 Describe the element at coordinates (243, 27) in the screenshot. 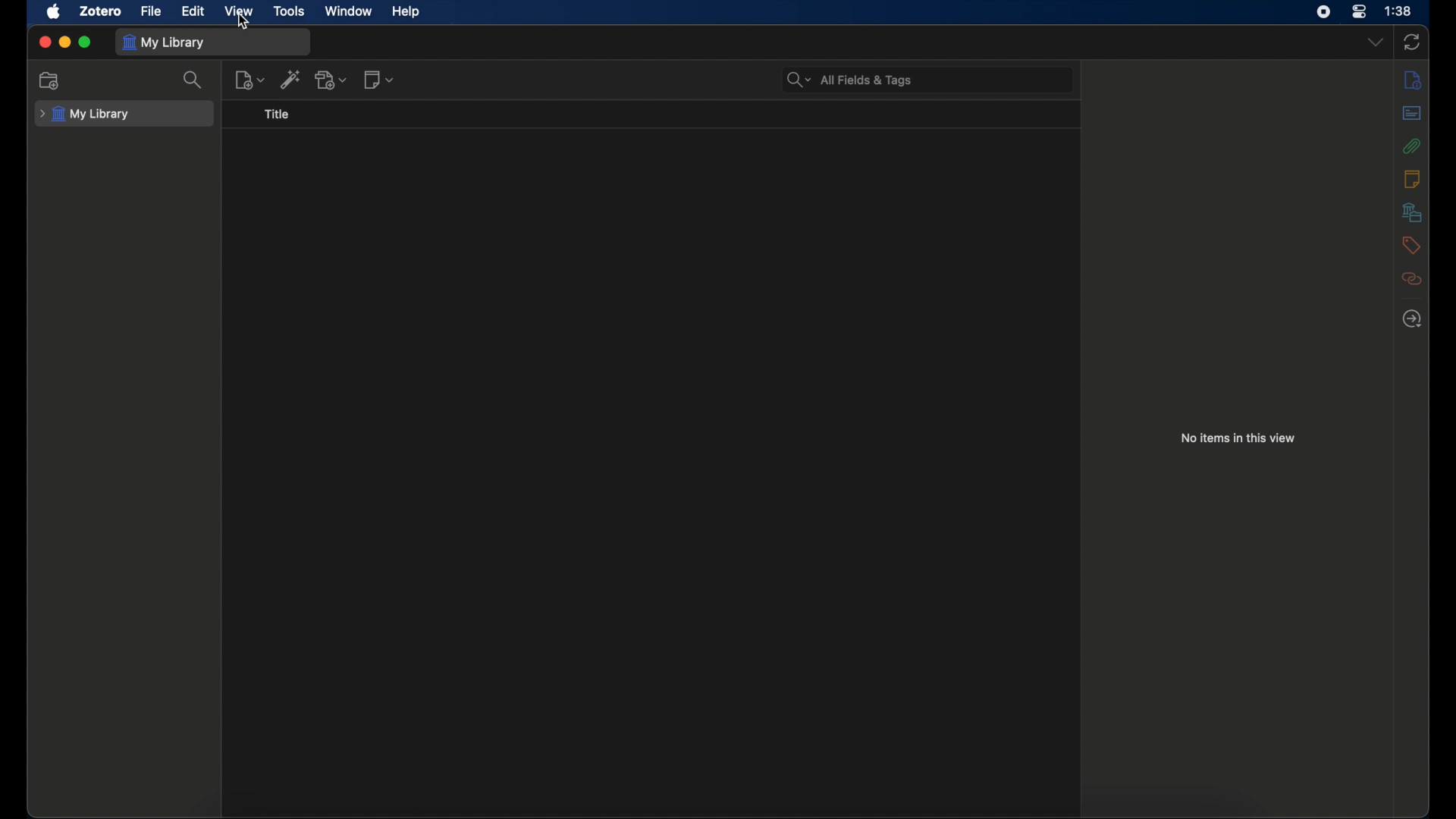

I see `Cursor` at that location.